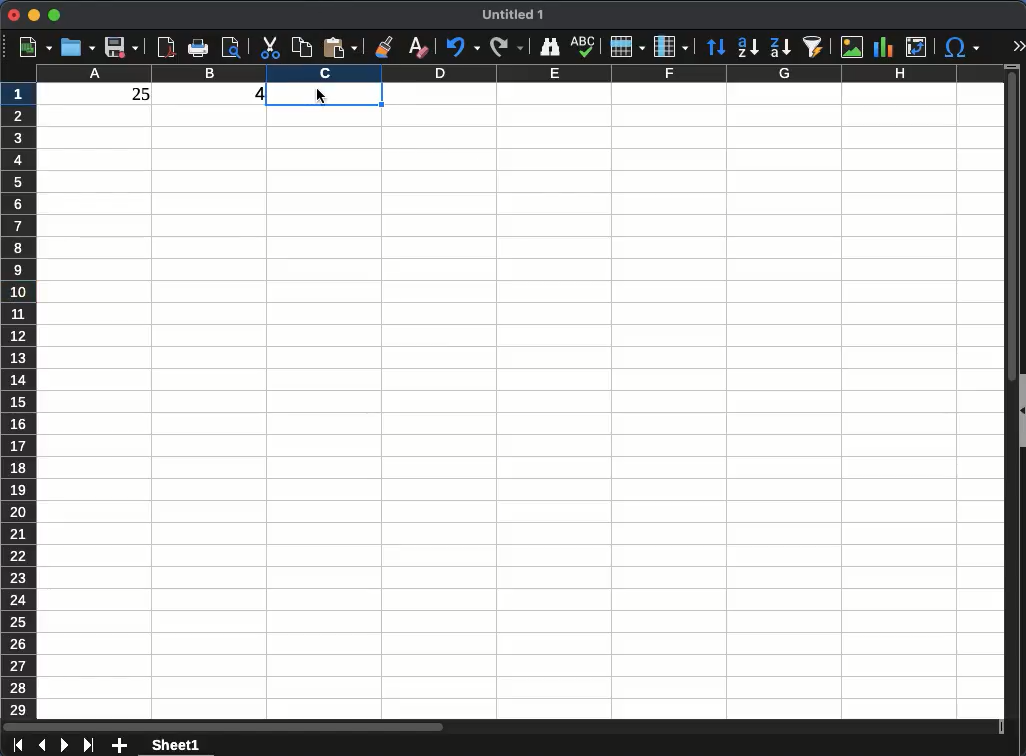 This screenshot has height=756, width=1026. Describe the element at coordinates (816, 47) in the screenshot. I see `autofilter` at that location.